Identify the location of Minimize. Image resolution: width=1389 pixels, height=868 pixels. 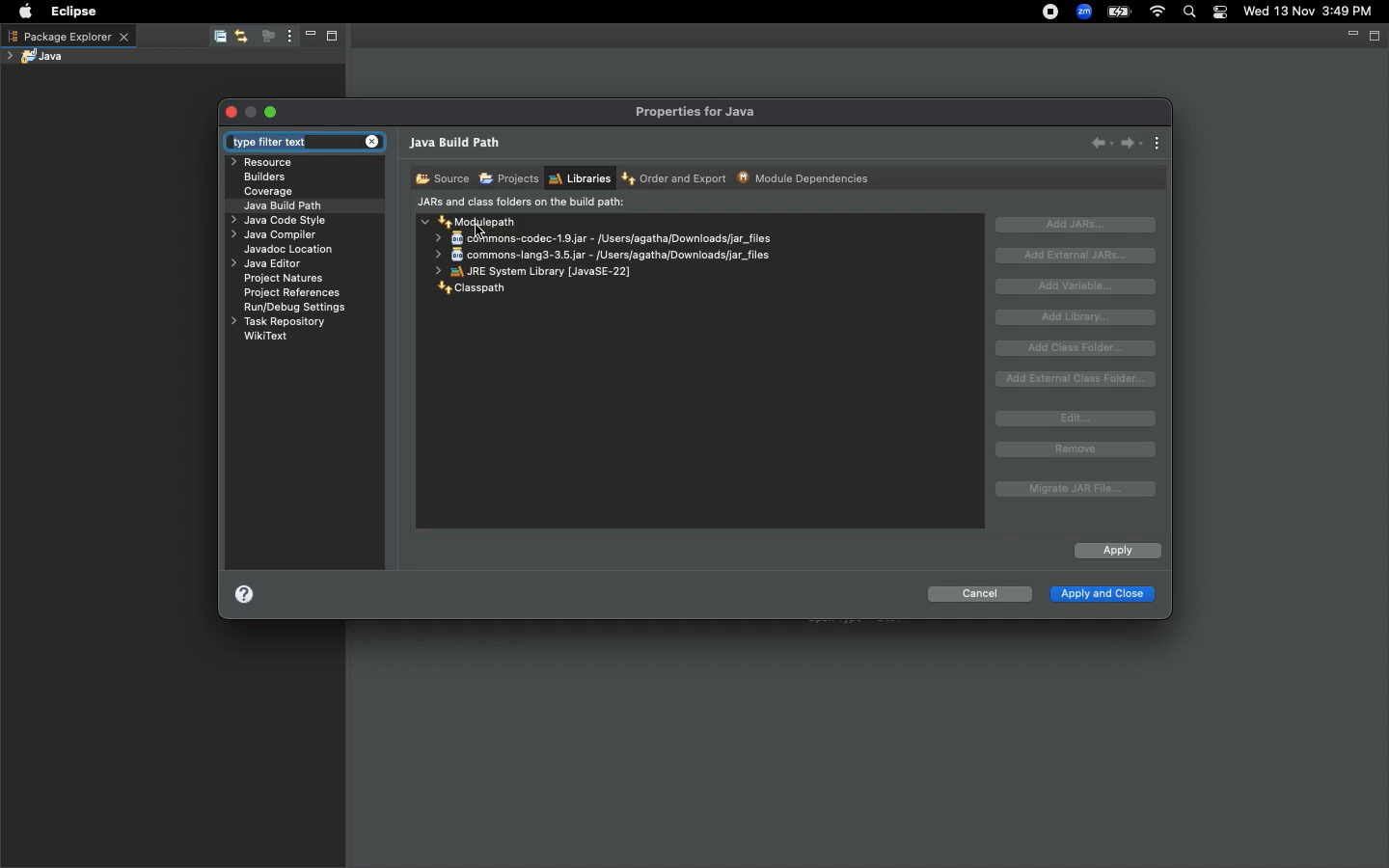
(309, 37).